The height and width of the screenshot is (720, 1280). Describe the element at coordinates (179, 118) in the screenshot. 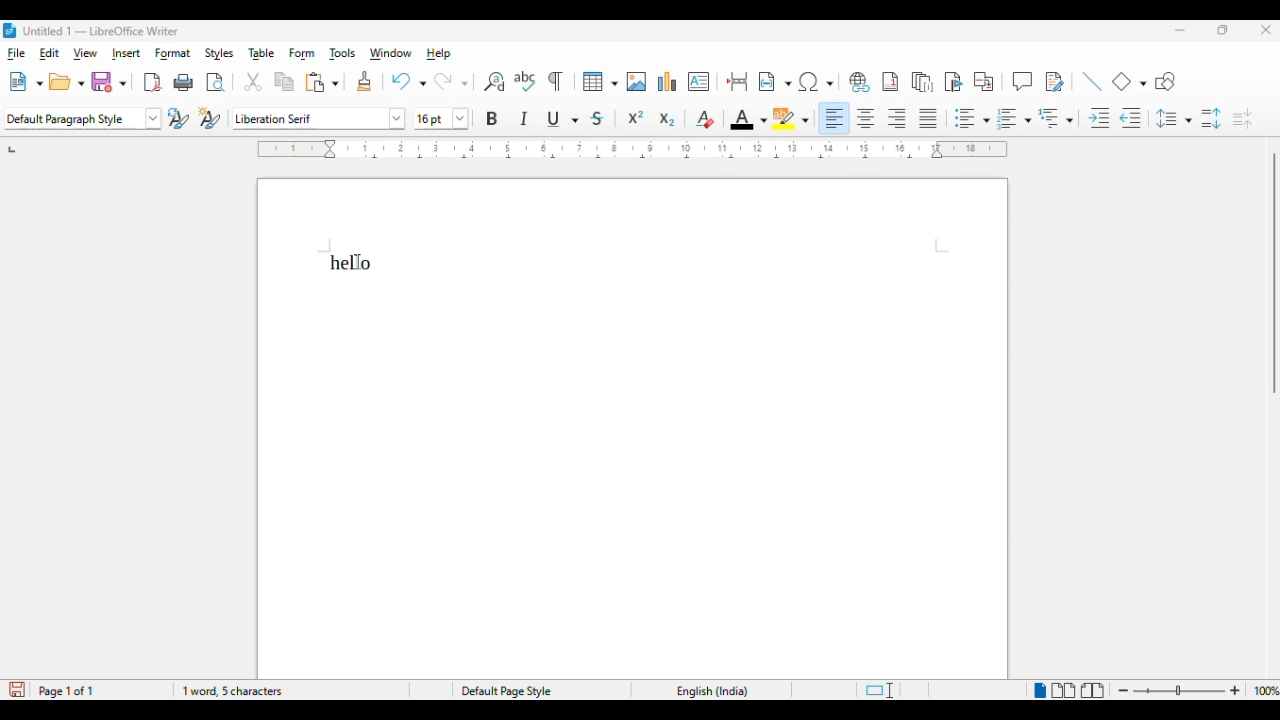

I see `update selected style` at that location.